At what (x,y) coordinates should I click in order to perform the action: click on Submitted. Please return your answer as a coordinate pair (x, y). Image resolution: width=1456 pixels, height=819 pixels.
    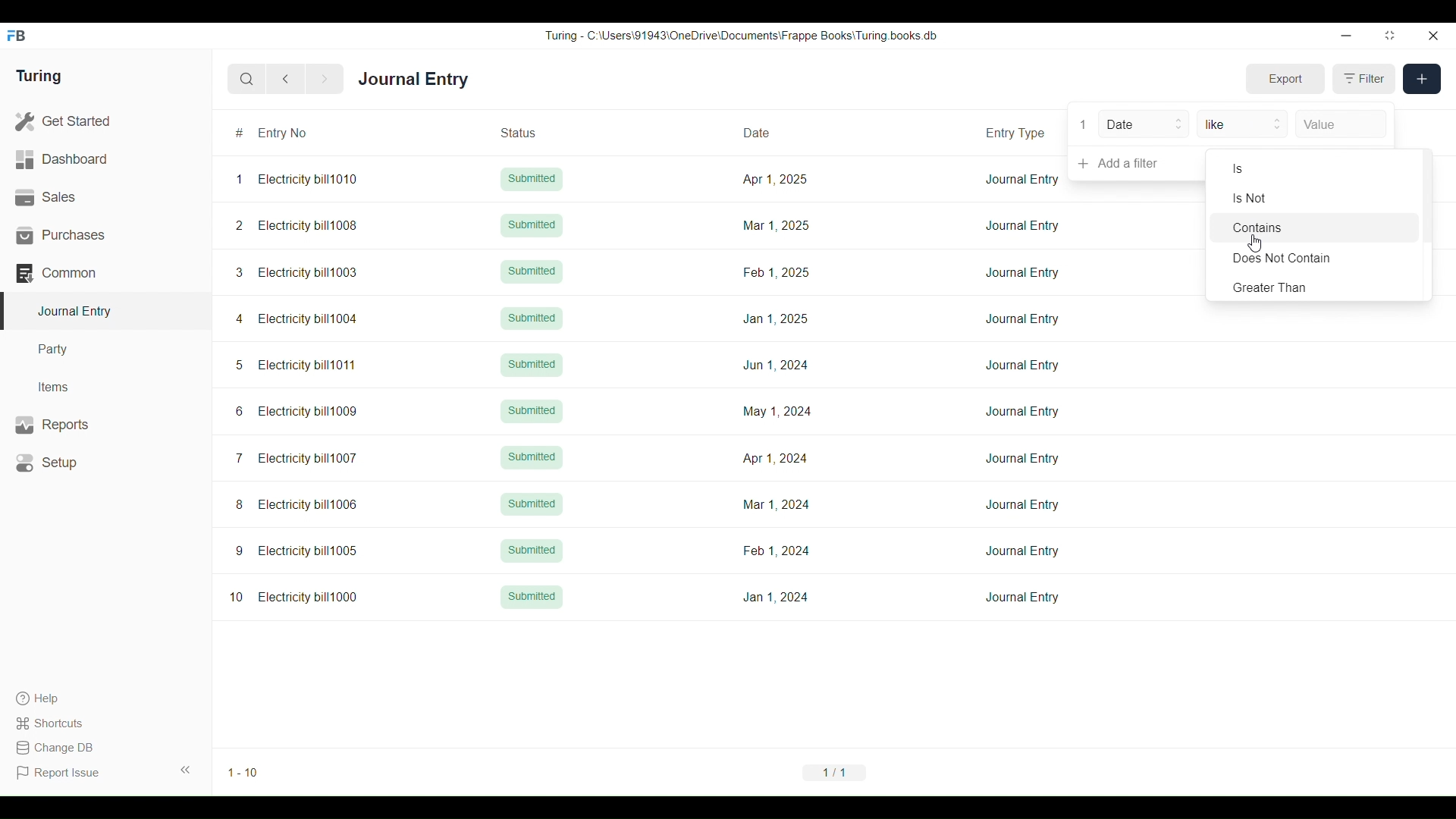
    Looking at the image, I should click on (532, 412).